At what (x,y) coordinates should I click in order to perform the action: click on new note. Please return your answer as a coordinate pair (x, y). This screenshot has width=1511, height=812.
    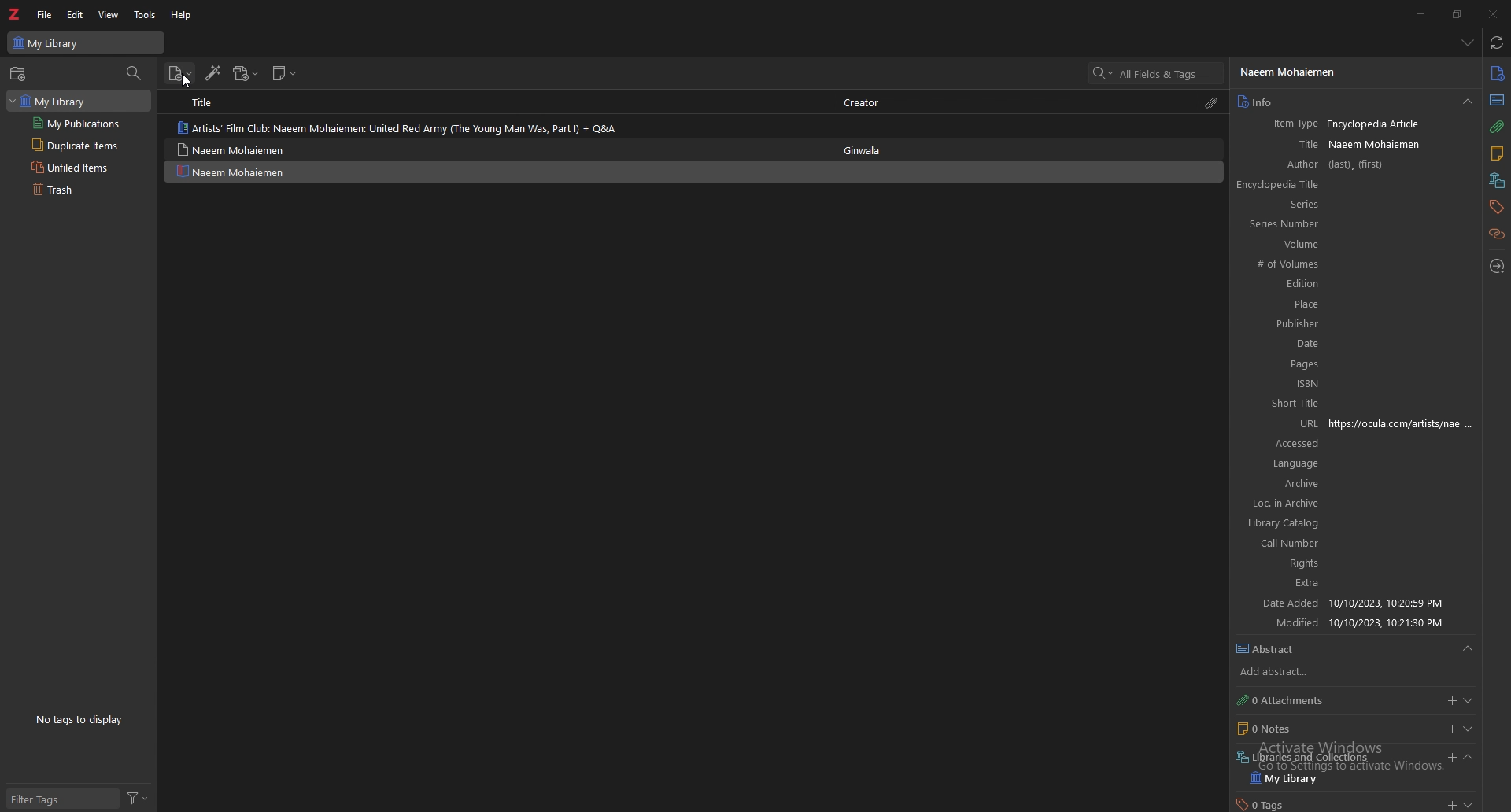
    Looking at the image, I should click on (286, 73).